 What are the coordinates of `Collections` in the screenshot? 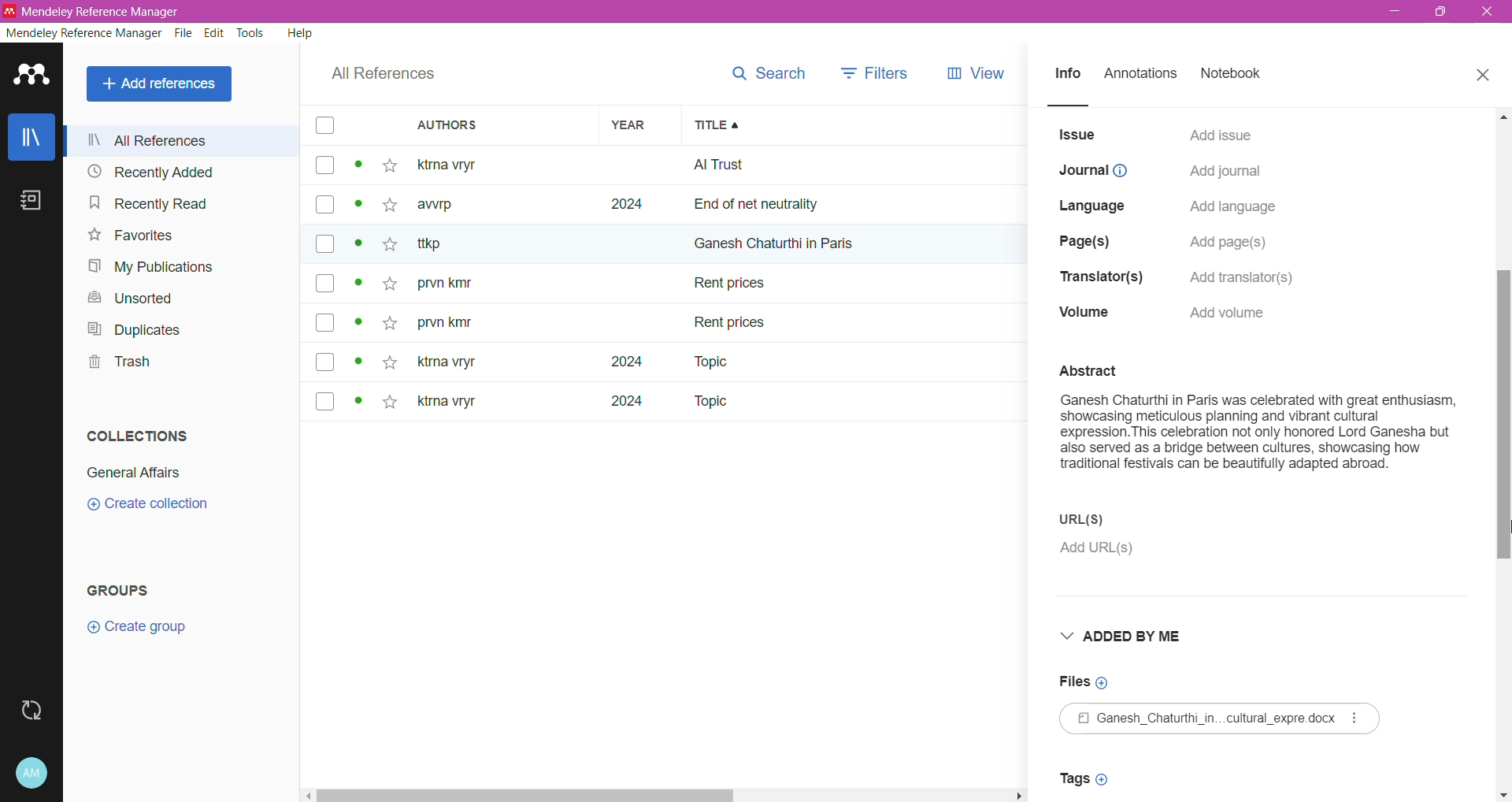 It's located at (135, 436).